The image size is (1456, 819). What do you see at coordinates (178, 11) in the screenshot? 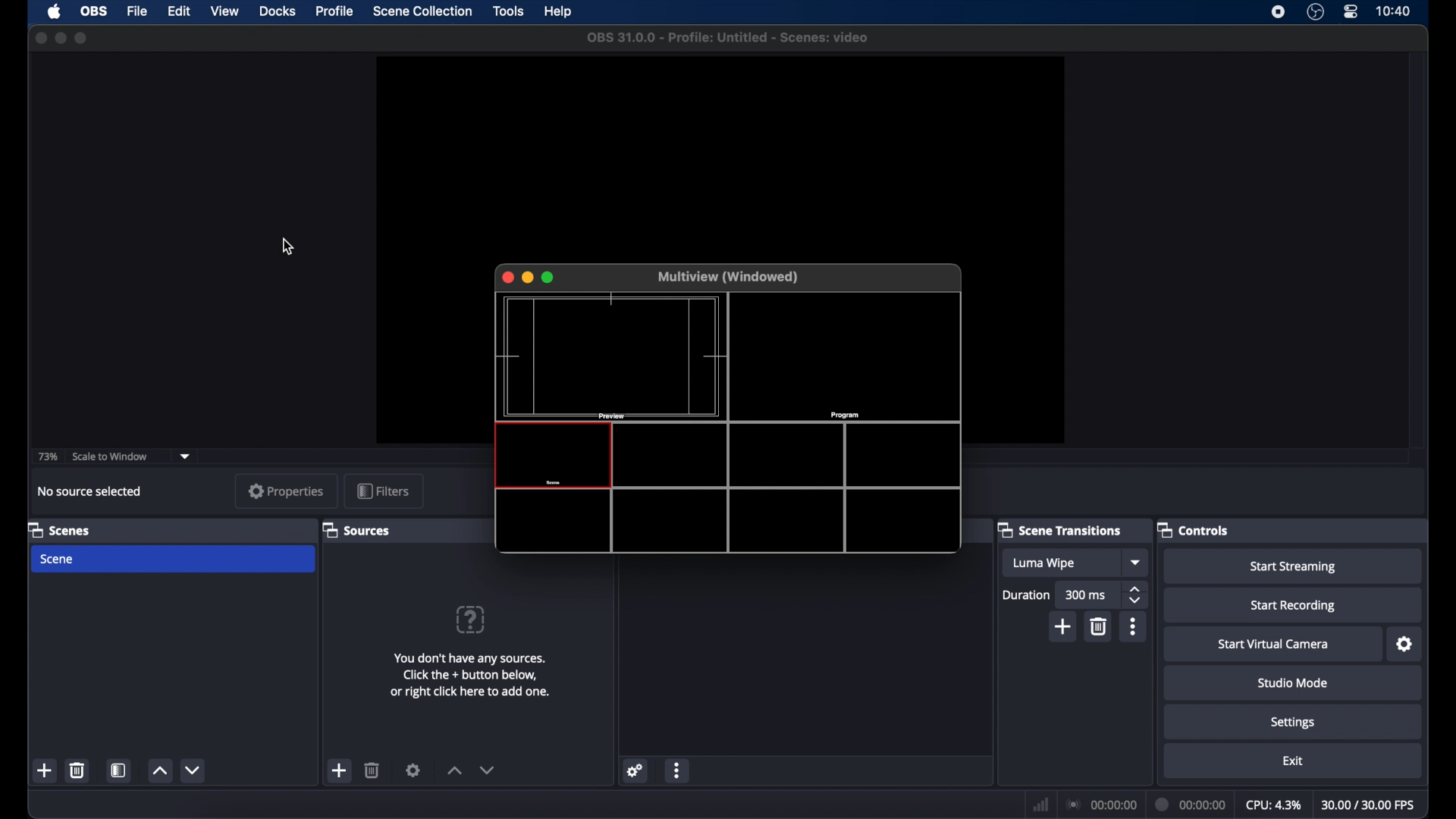
I see `edit` at bounding box center [178, 11].